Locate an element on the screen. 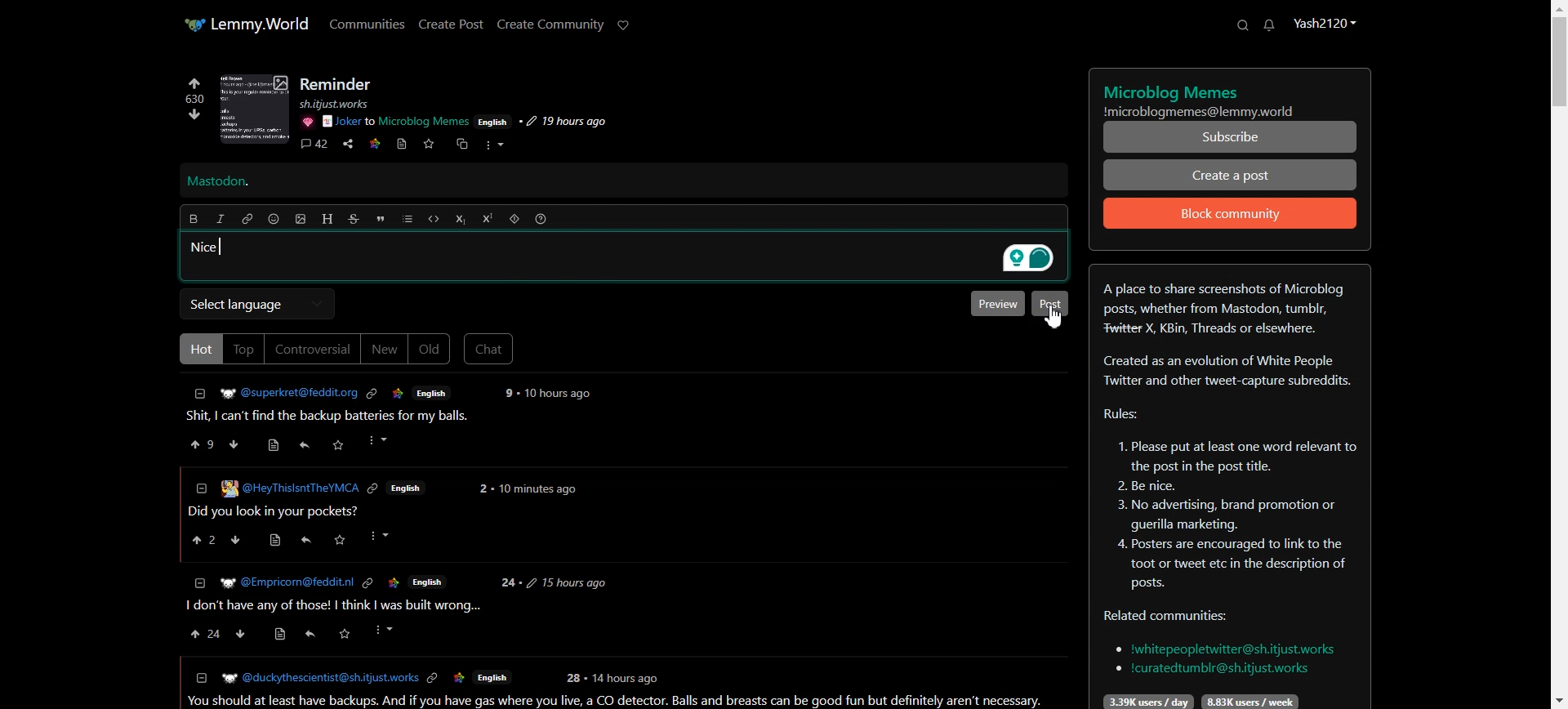  Down vote is located at coordinates (190, 117).